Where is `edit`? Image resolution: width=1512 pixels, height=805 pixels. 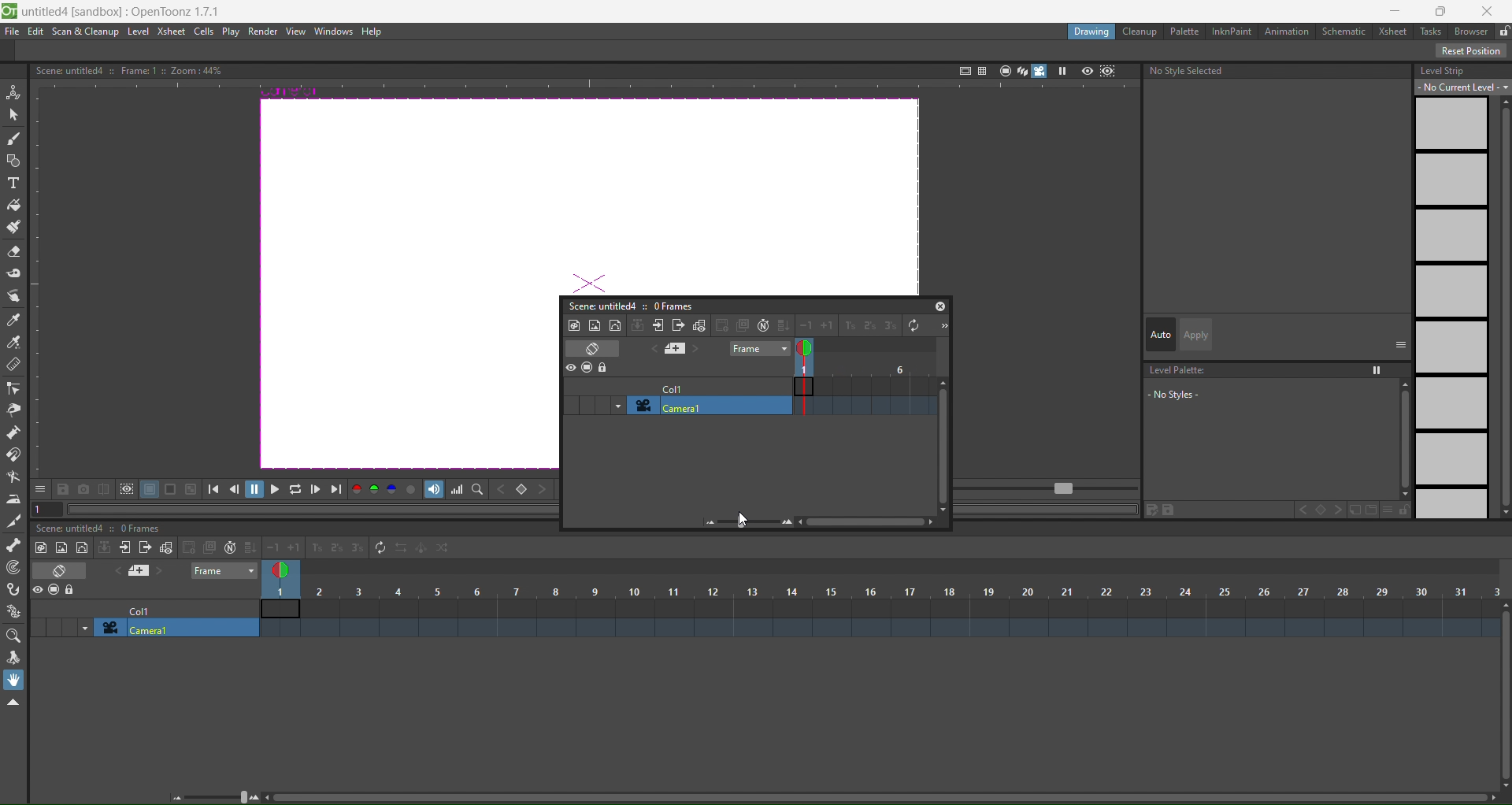 edit is located at coordinates (35, 32).